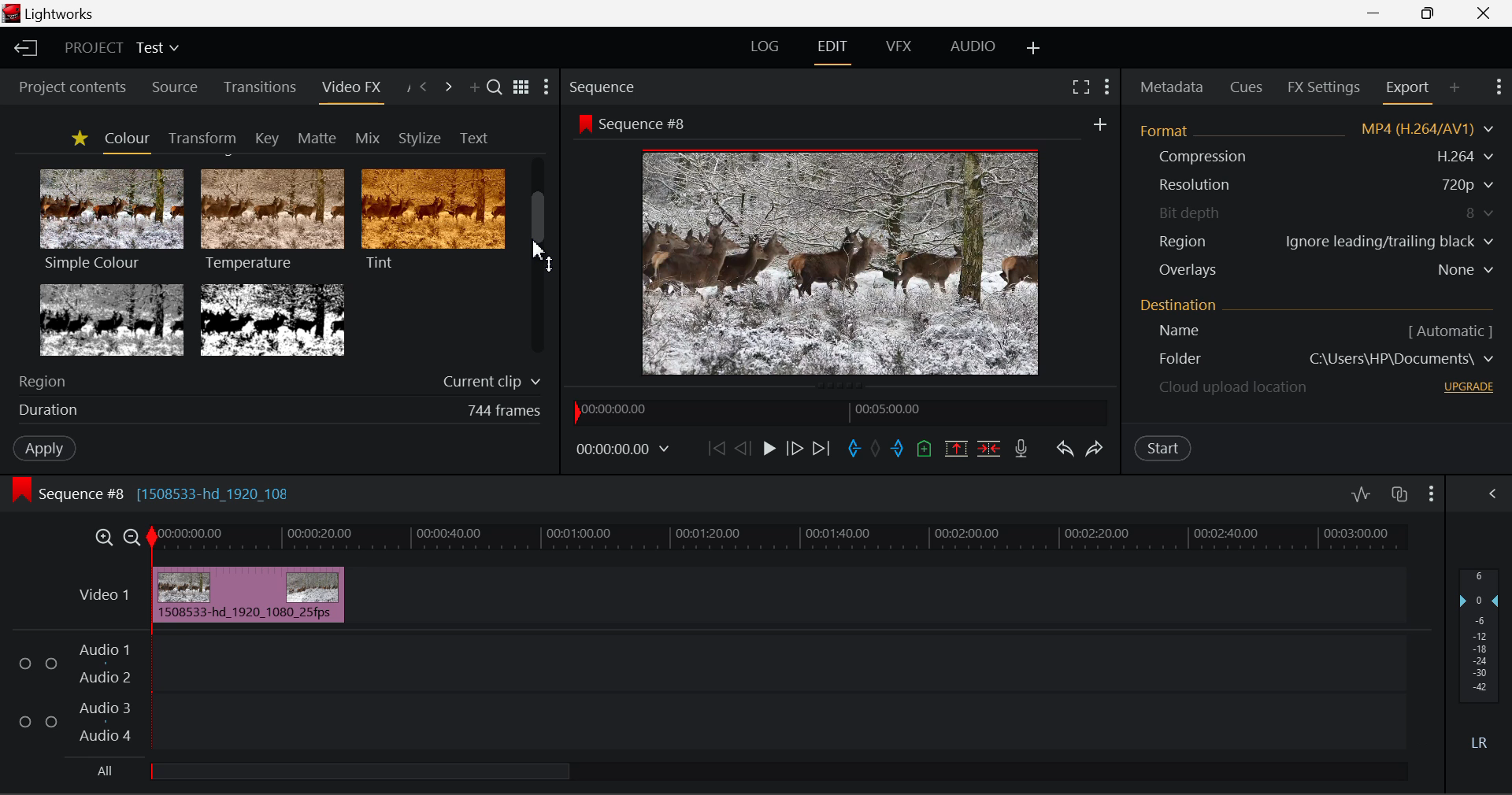 Image resolution: width=1512 pixels, height=795 pixels. Describe the element at coordinates (1164, 449) in the screenshot. I see `Start` at that location.